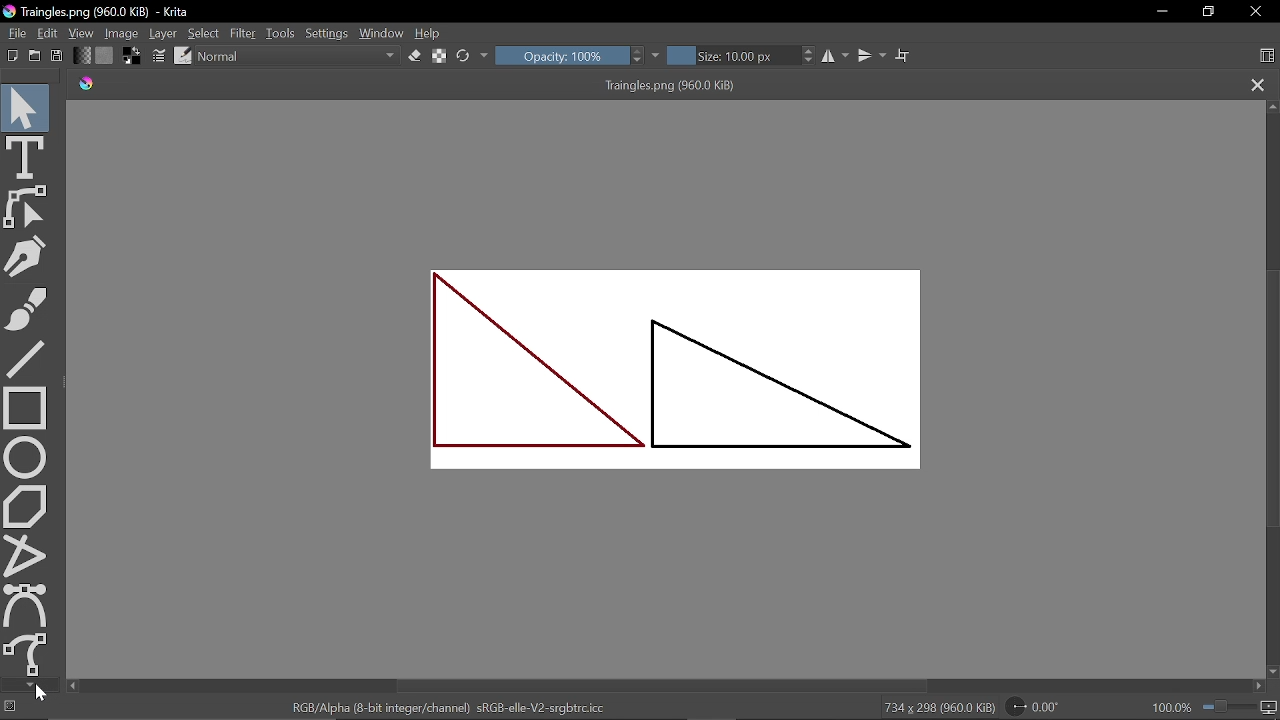  Describe the element at coordinates (14, 32) in the screenshot. I see `File` at that location.